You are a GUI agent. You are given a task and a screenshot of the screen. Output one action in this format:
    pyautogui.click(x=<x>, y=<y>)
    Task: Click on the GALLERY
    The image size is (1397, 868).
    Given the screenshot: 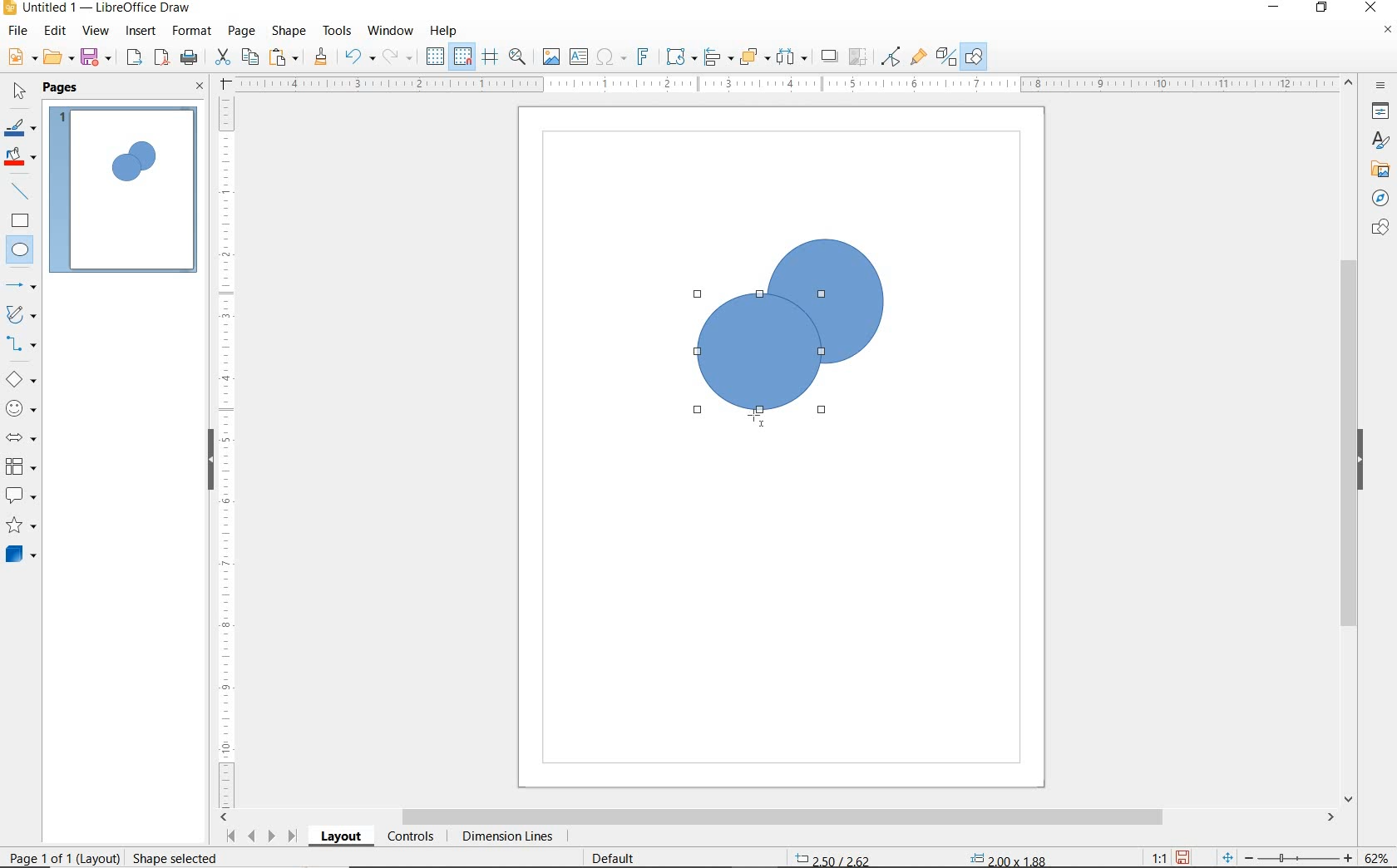 What is the action you would take?
    pyautogui.click(x=1378, y=170)
    